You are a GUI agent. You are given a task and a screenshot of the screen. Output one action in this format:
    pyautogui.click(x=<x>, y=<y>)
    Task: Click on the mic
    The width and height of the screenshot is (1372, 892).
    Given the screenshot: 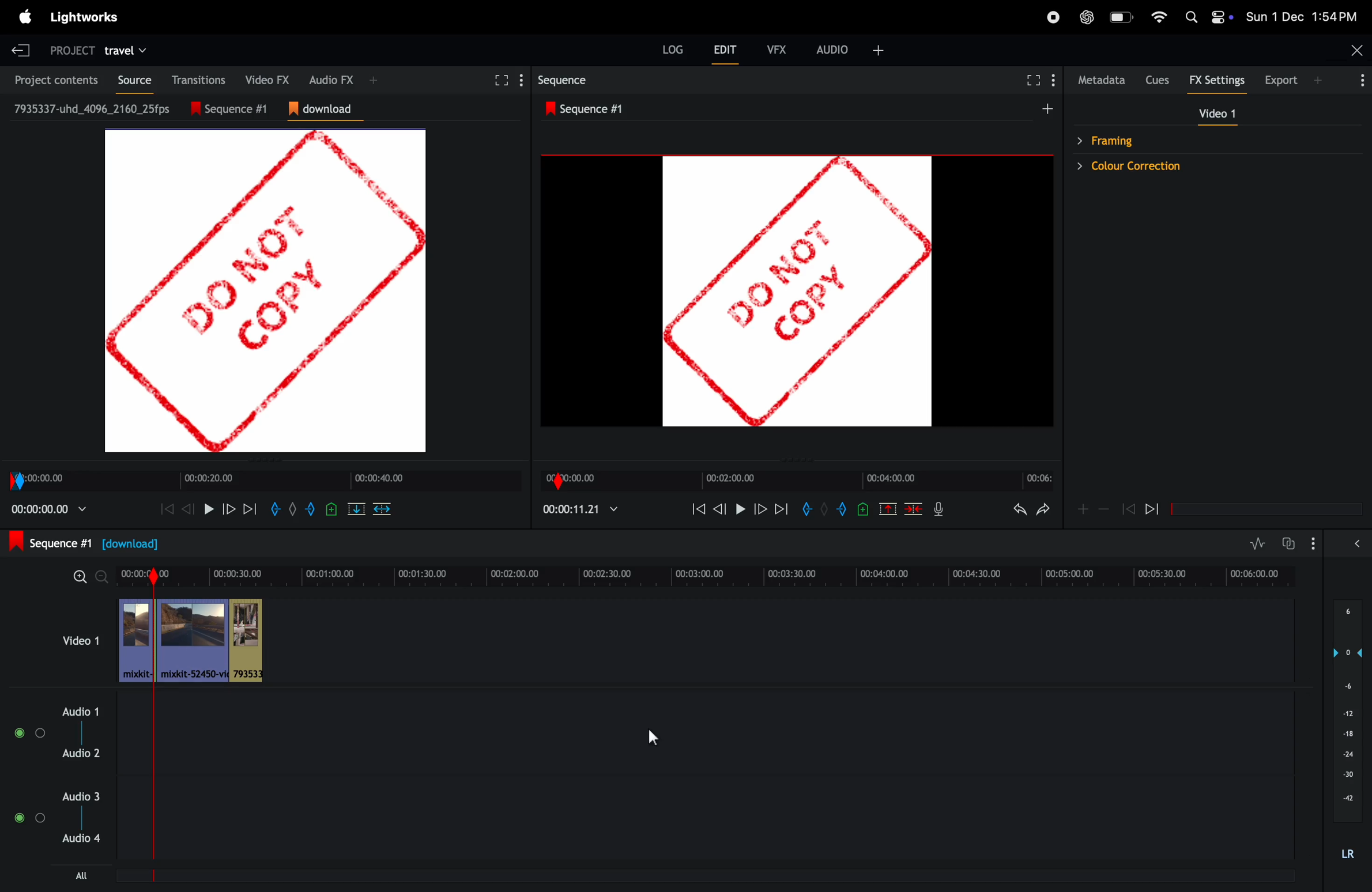 What is the action you would take?
    pyautogui.click(x=938, y=508)
    